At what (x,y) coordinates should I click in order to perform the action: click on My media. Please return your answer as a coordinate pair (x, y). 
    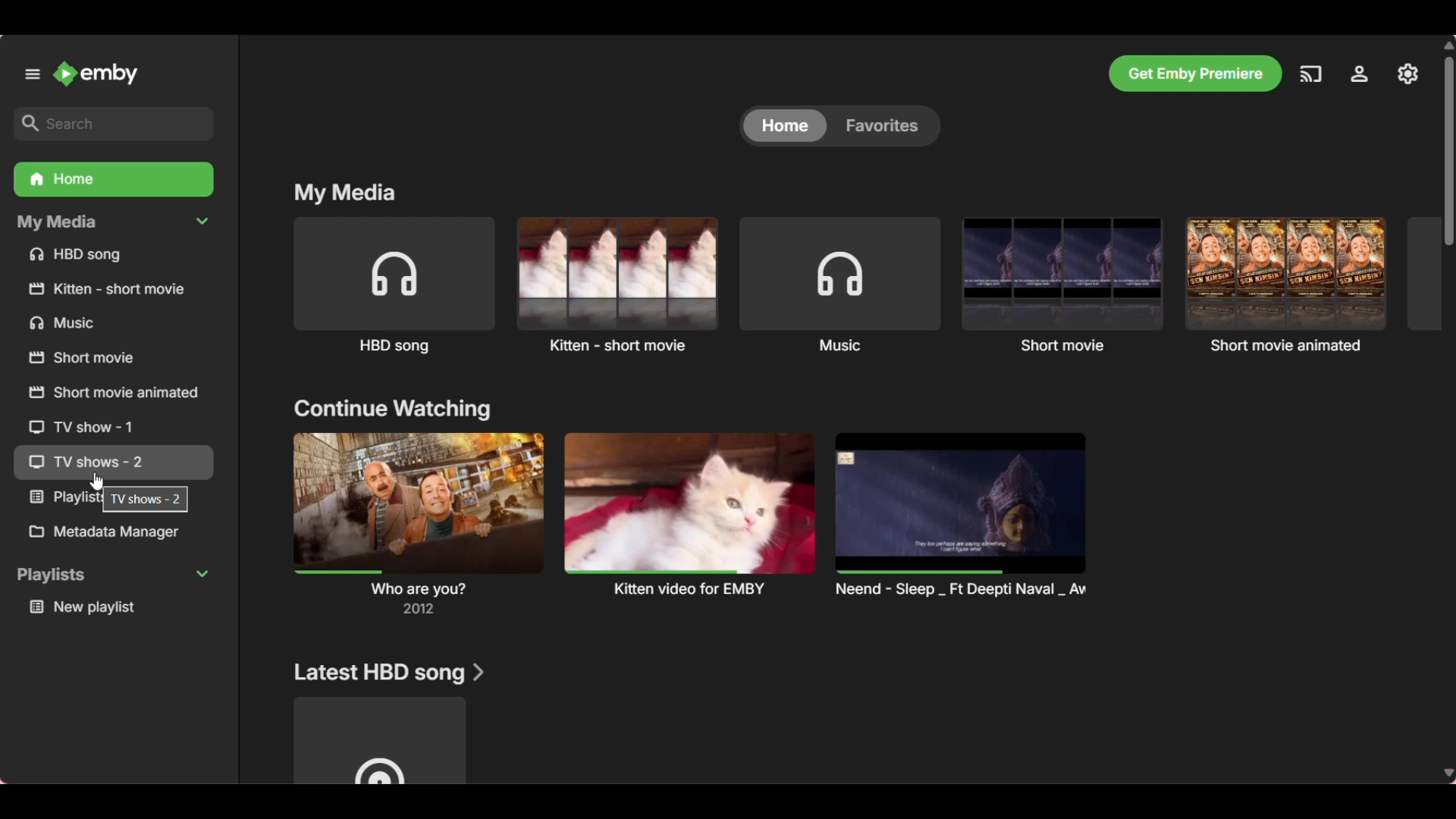
    Looking at the image, I should click on (345, 193).